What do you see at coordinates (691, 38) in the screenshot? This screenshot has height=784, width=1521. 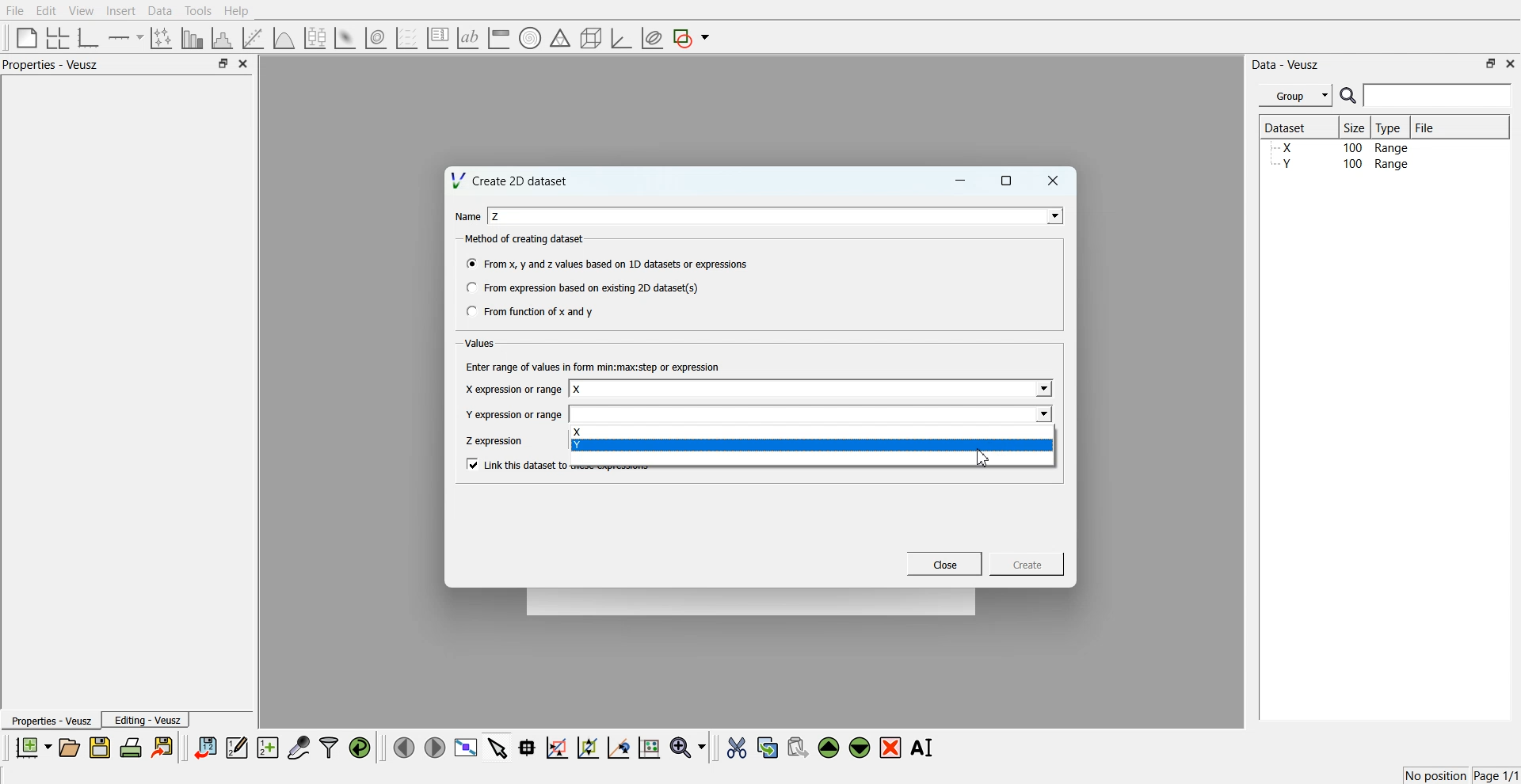 I see `Add shape to the plot` at bounding box center [691, 38].